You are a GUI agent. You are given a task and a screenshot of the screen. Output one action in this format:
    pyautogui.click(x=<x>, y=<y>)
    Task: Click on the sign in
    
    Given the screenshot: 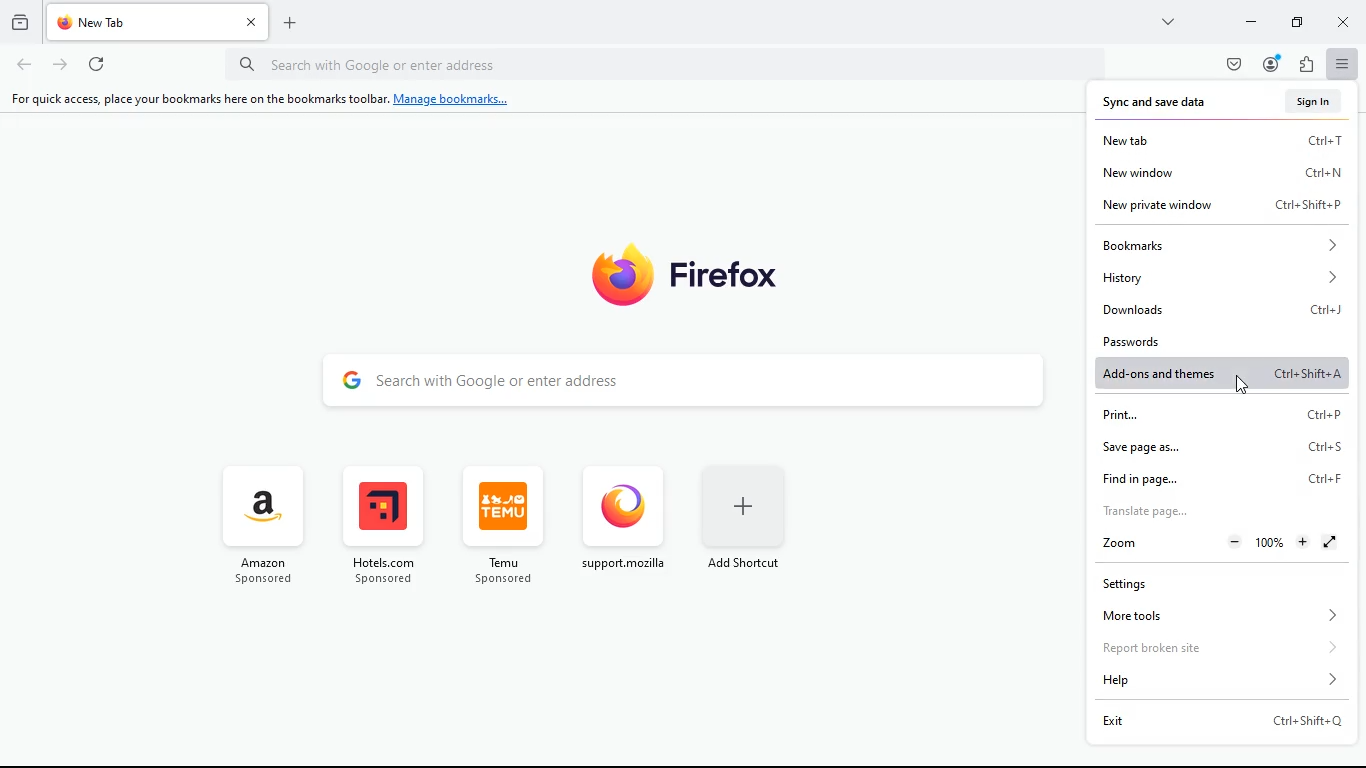 What is the action you would take?
    pyautogui.click(x=1299, y=101)
    